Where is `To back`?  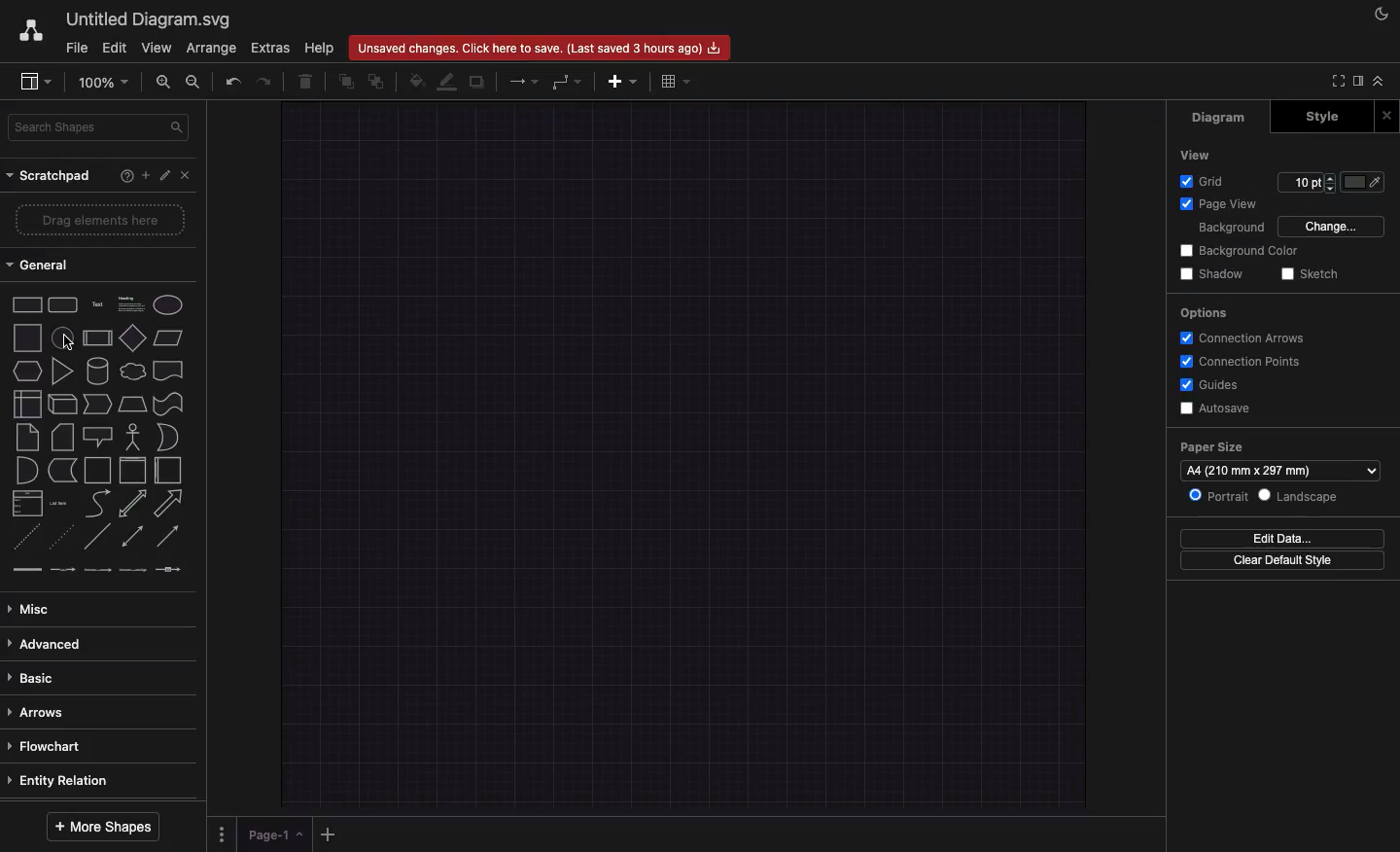 To back is located at coordinates (379, 81).